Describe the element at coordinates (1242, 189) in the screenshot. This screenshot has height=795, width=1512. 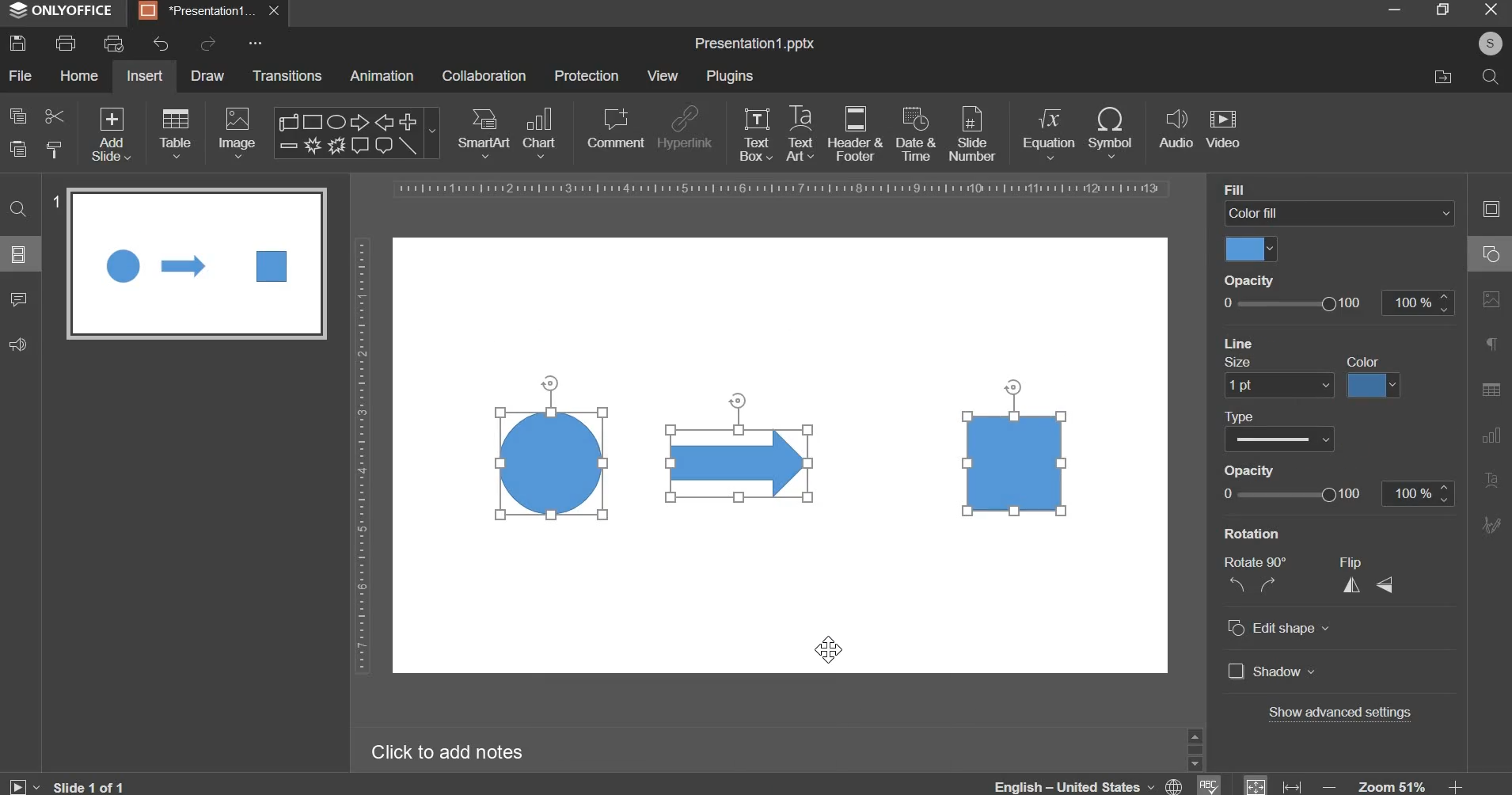
I see `fill` at that location.